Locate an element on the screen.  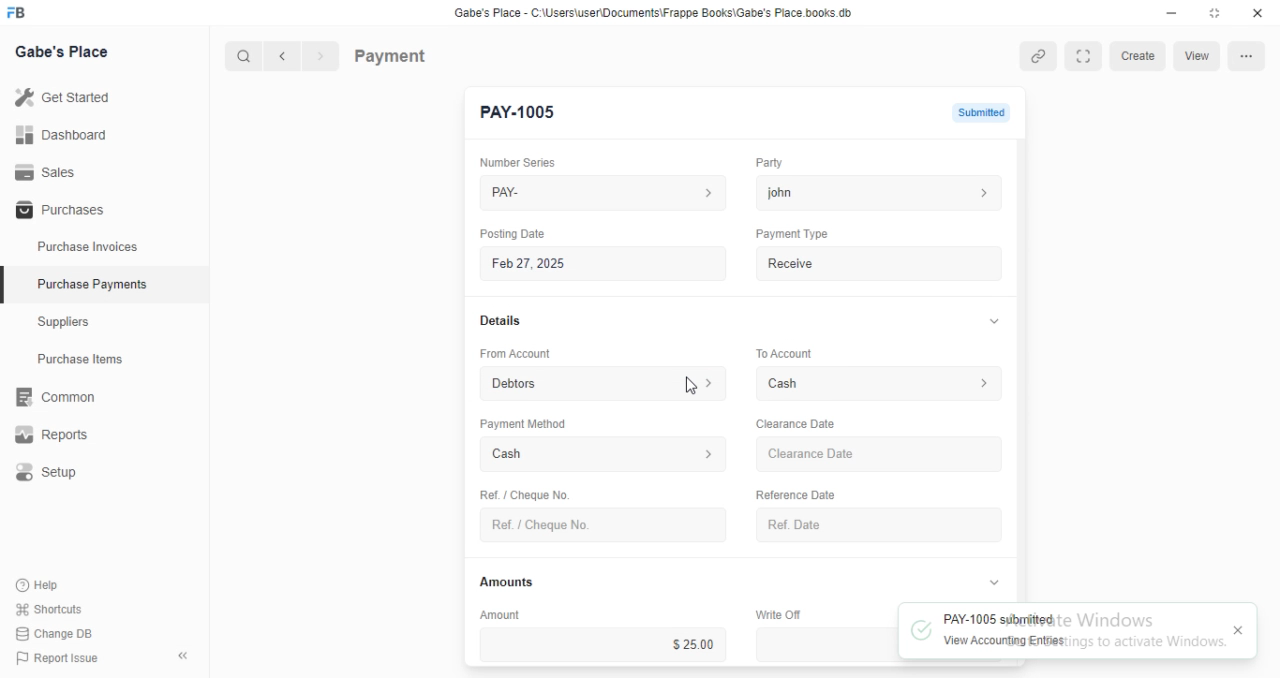
Details is located at coordinates (498, 321).